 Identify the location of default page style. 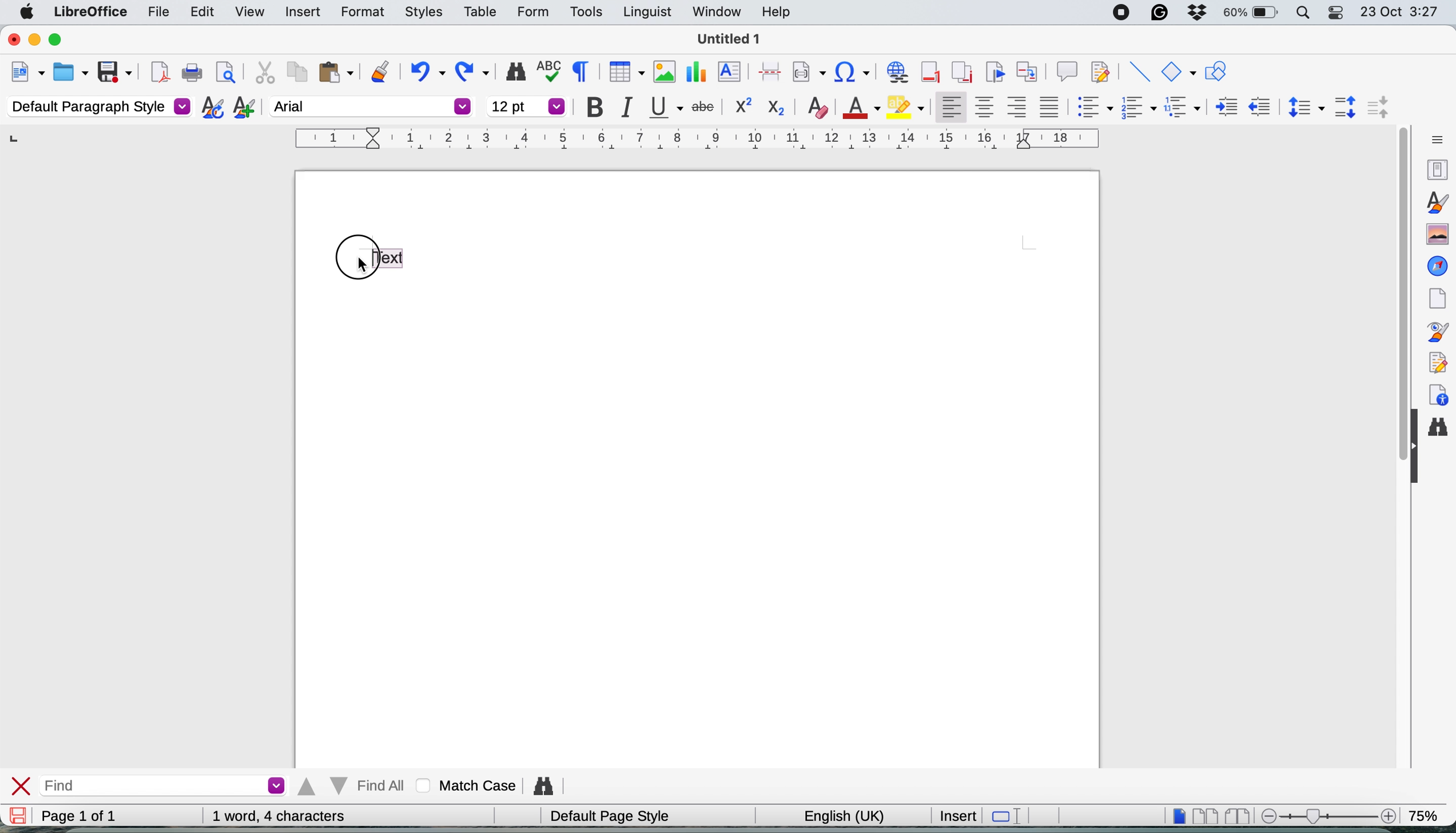
(607, 816).